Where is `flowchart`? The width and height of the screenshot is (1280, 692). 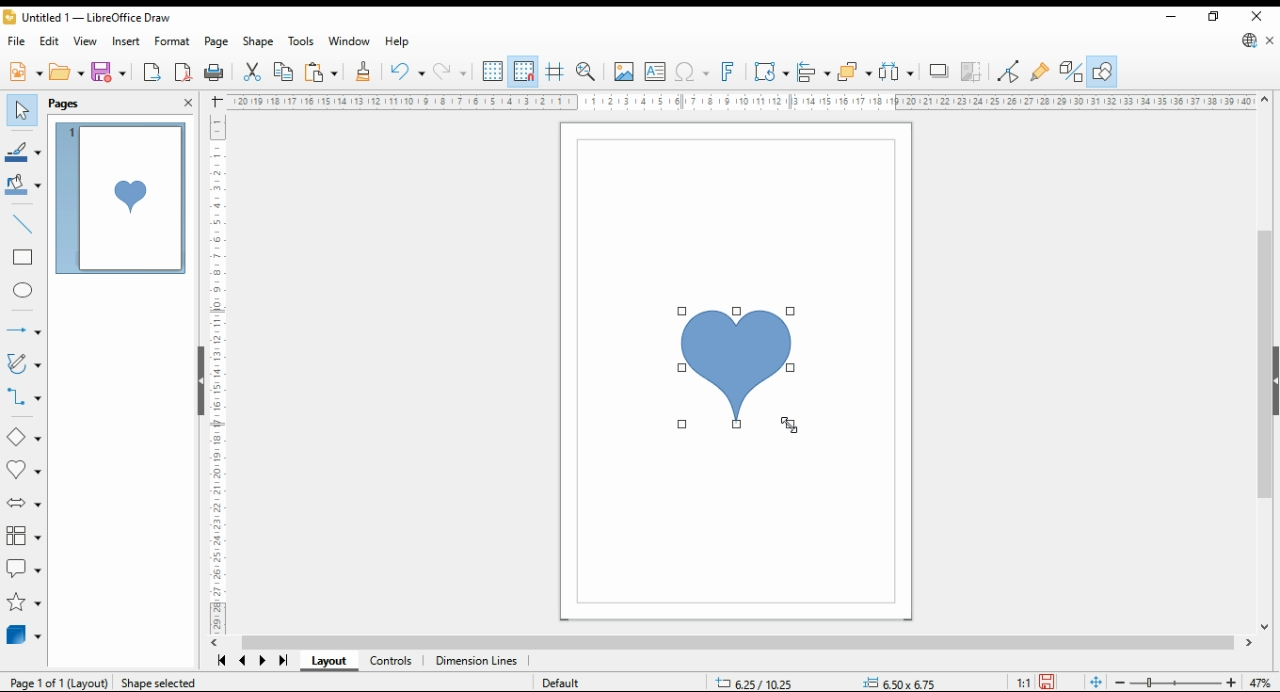 flowchart is located at coordinates (20, 534).